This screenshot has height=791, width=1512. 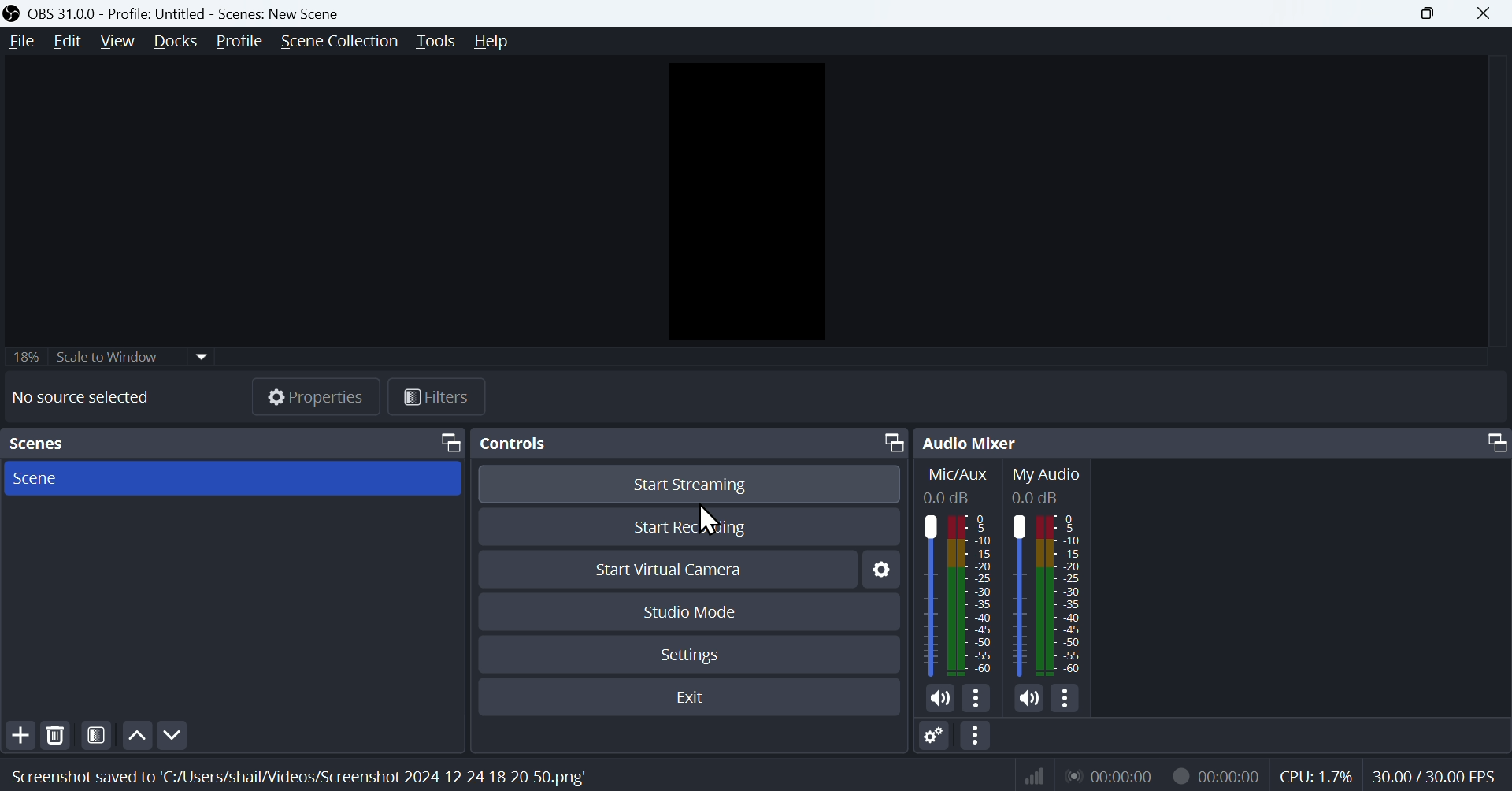 I want to click on Settings, so click(x=695, y=652).